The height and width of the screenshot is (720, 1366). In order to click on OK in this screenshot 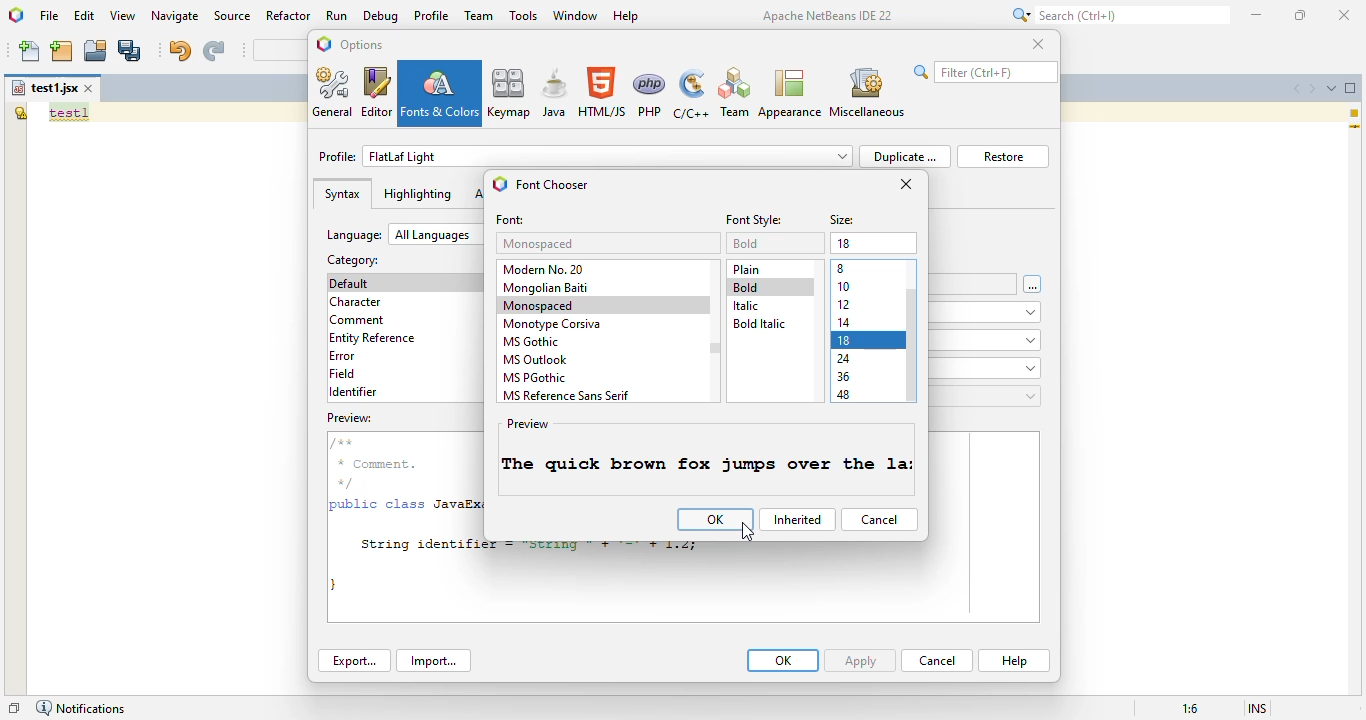, I will do `click(783, 660)`.